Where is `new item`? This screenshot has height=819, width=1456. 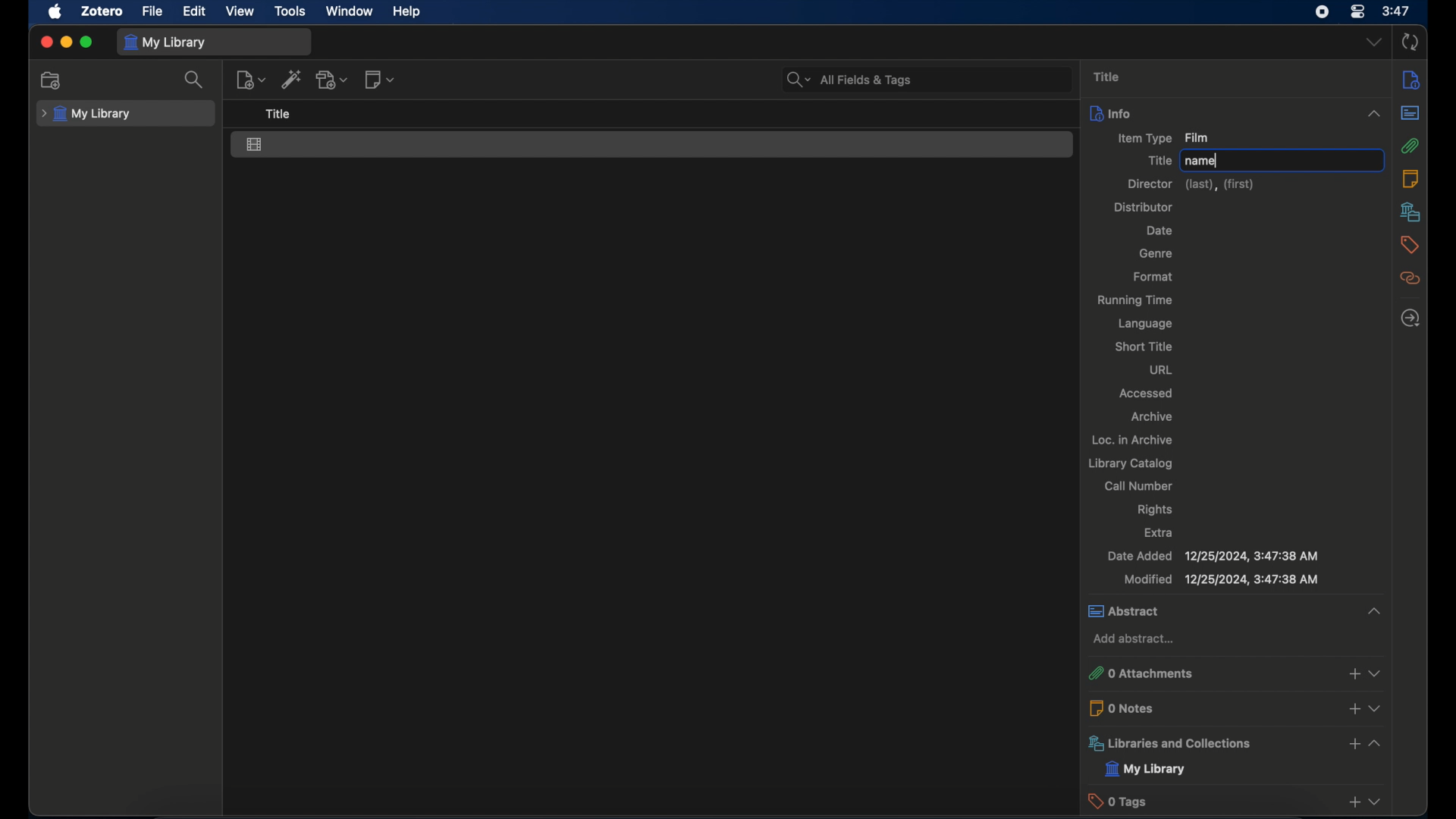 new item is located at coordinates (249, 80).